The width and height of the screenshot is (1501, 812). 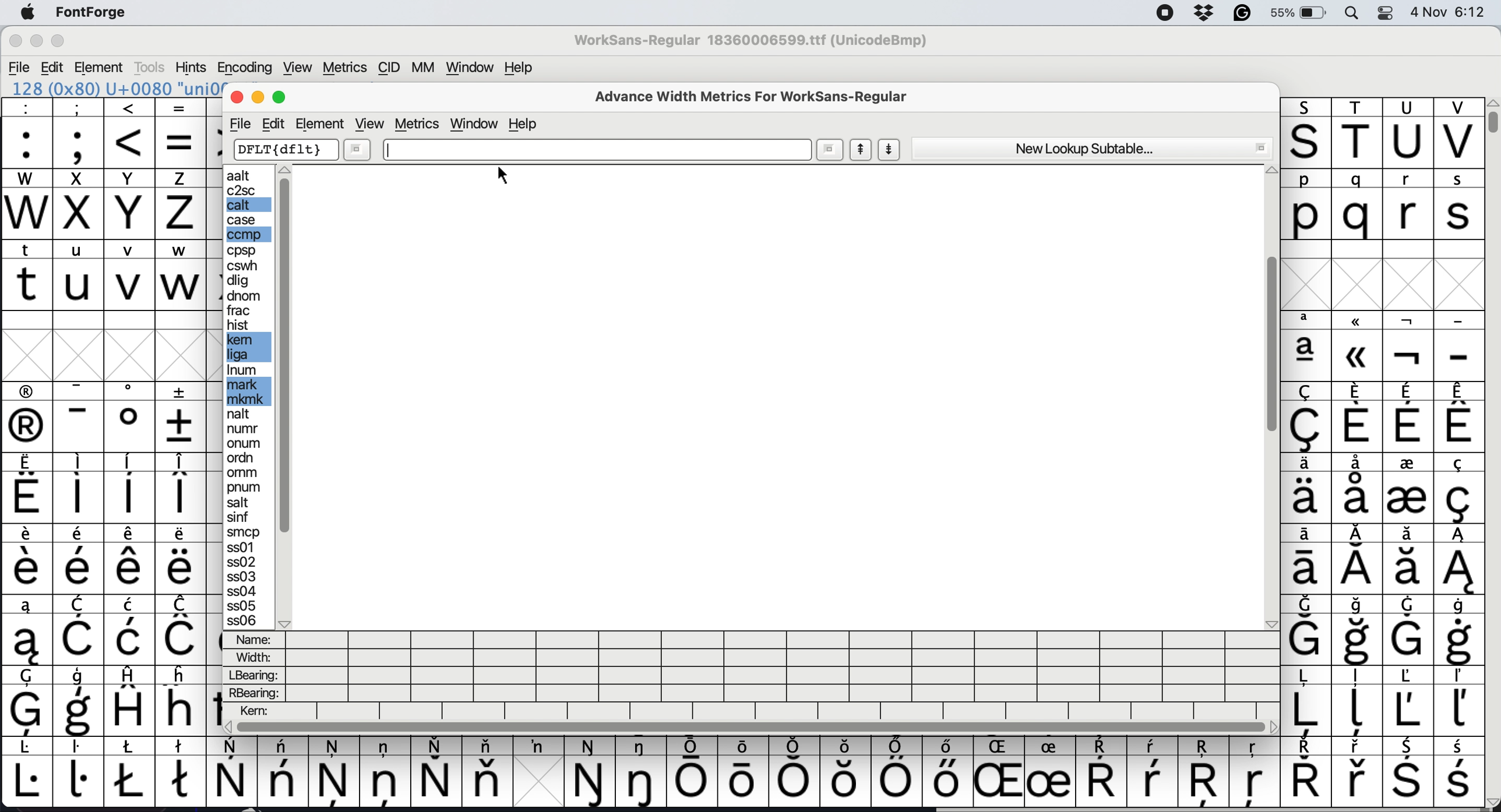 What do you see at coordinates (100, 68) in the screenshot?
I see `Element` at bounding box center [100, 68].